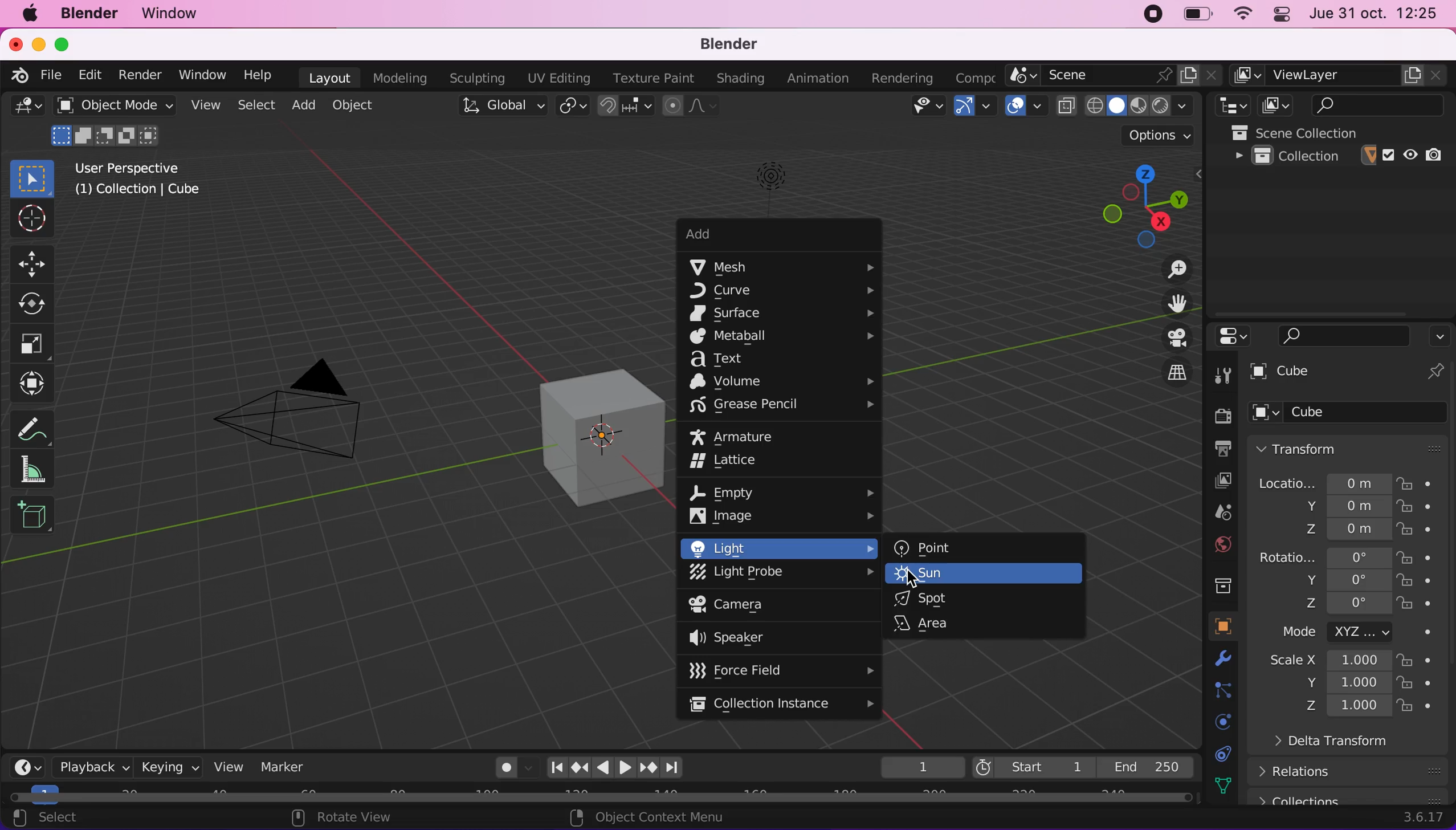 This screenshot has width=1456, height=830. What do you see at coordinates (1273, 105) in the screenshot?
I see `display mode` at bounding box center [1273, 105].